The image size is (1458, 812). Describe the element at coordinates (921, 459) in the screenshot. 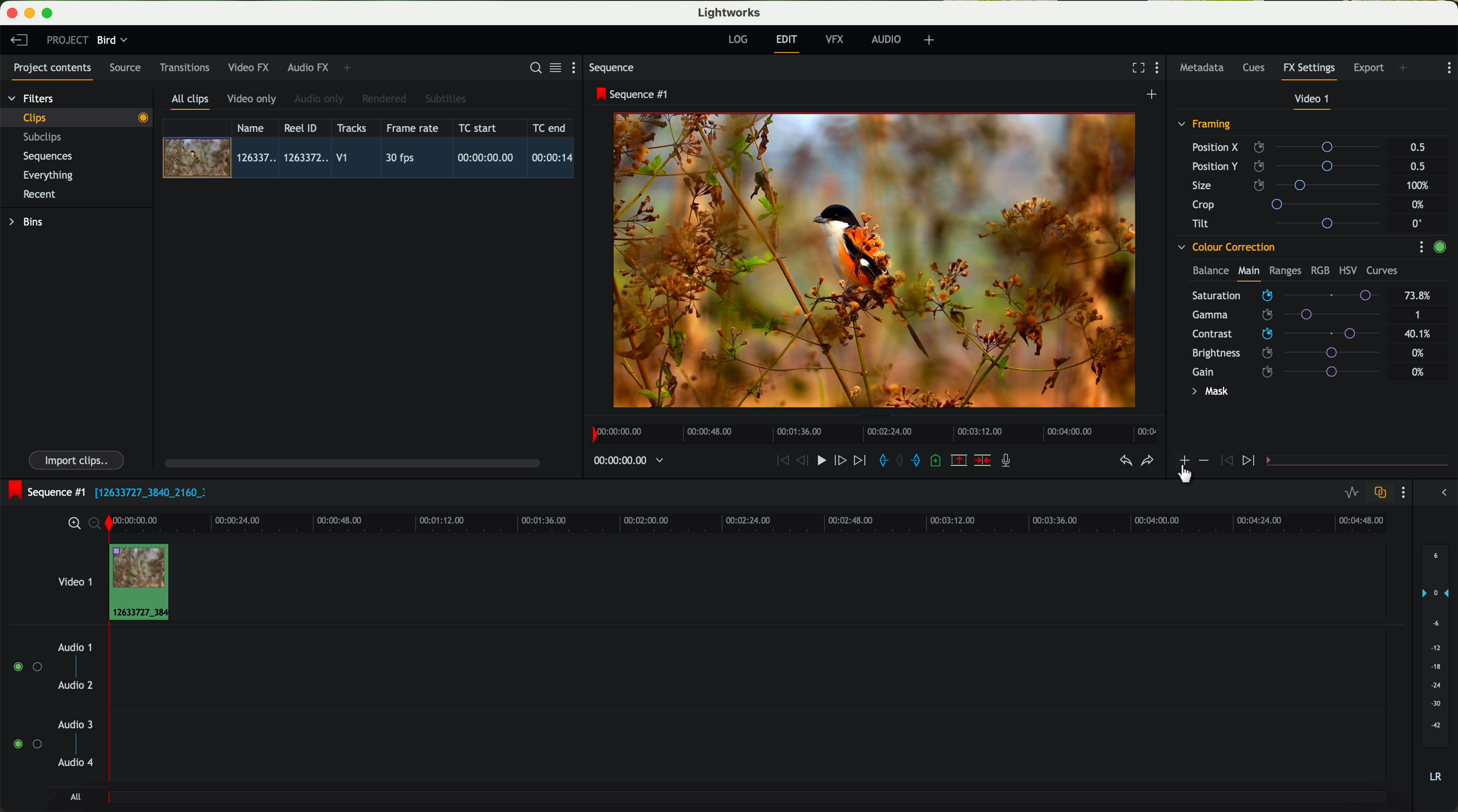

I see `add 'out' mark` at that location.